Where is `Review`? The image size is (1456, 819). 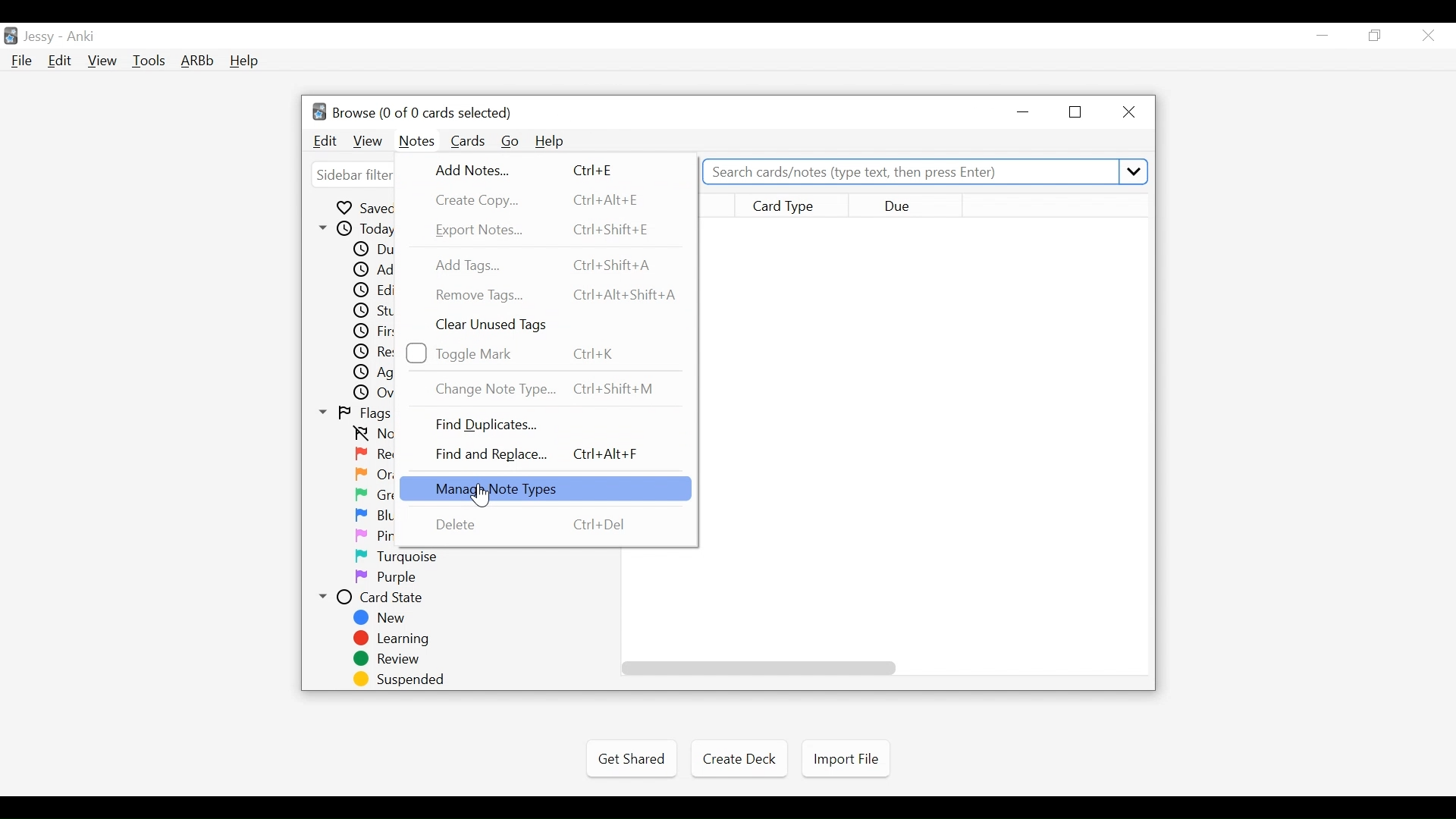 Review is located at coordinates (394, 659).